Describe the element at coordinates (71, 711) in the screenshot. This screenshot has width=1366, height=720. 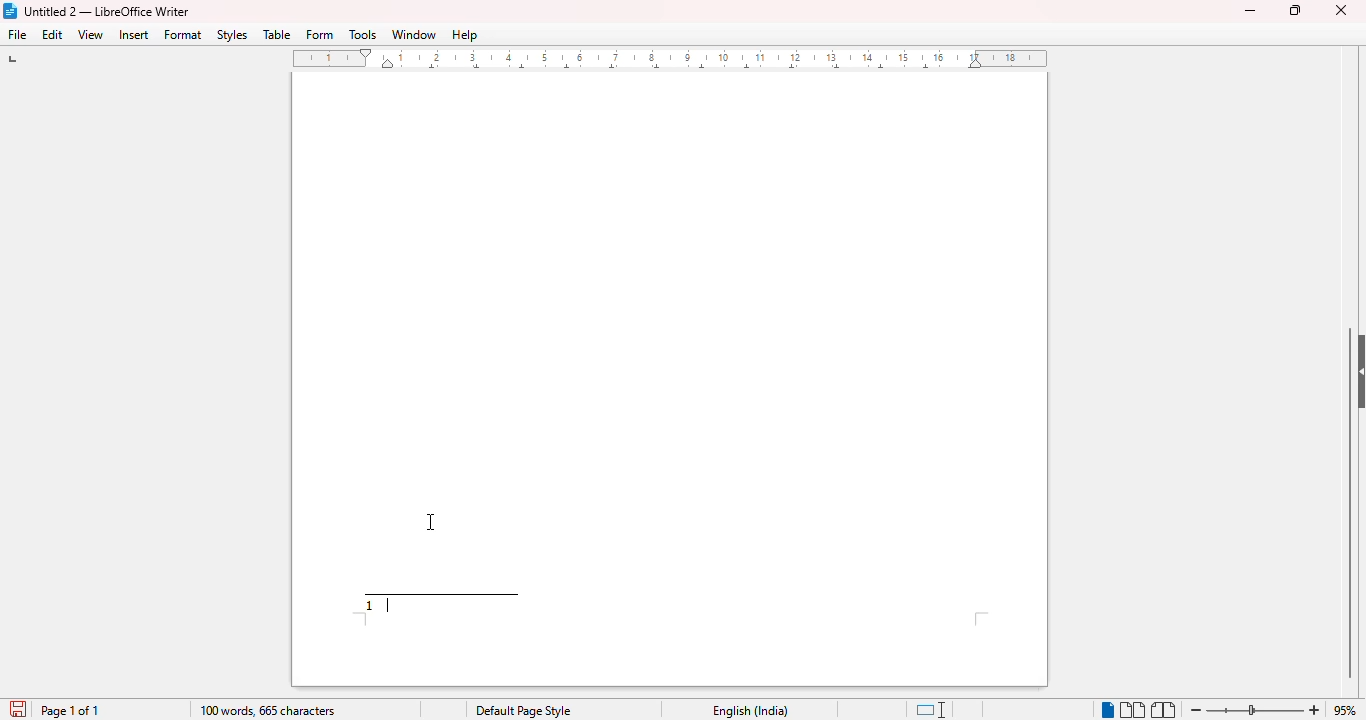
I see `page 1 of 1` at that location.